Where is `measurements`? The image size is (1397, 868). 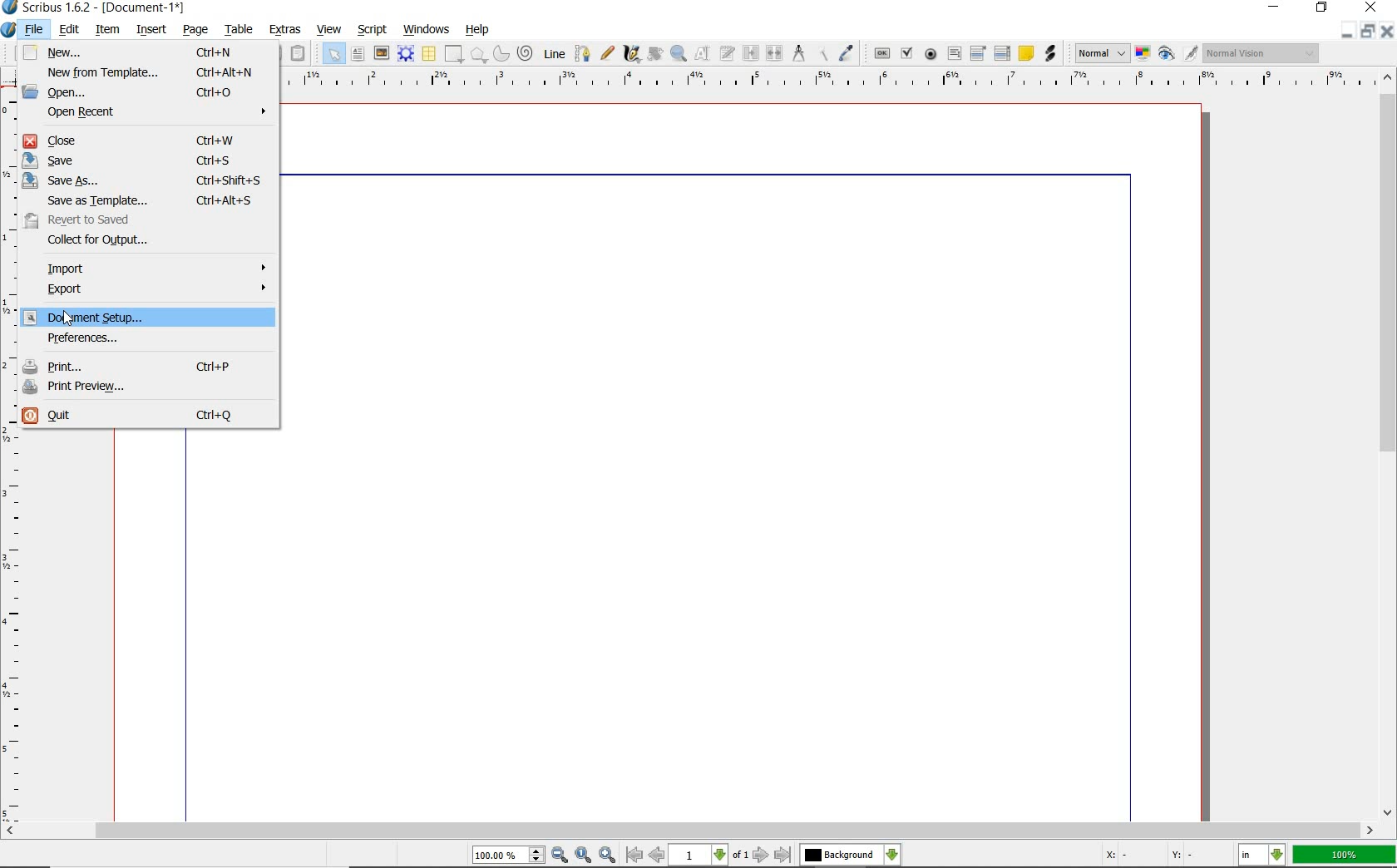
measurements is located at coordinates (797, 53).